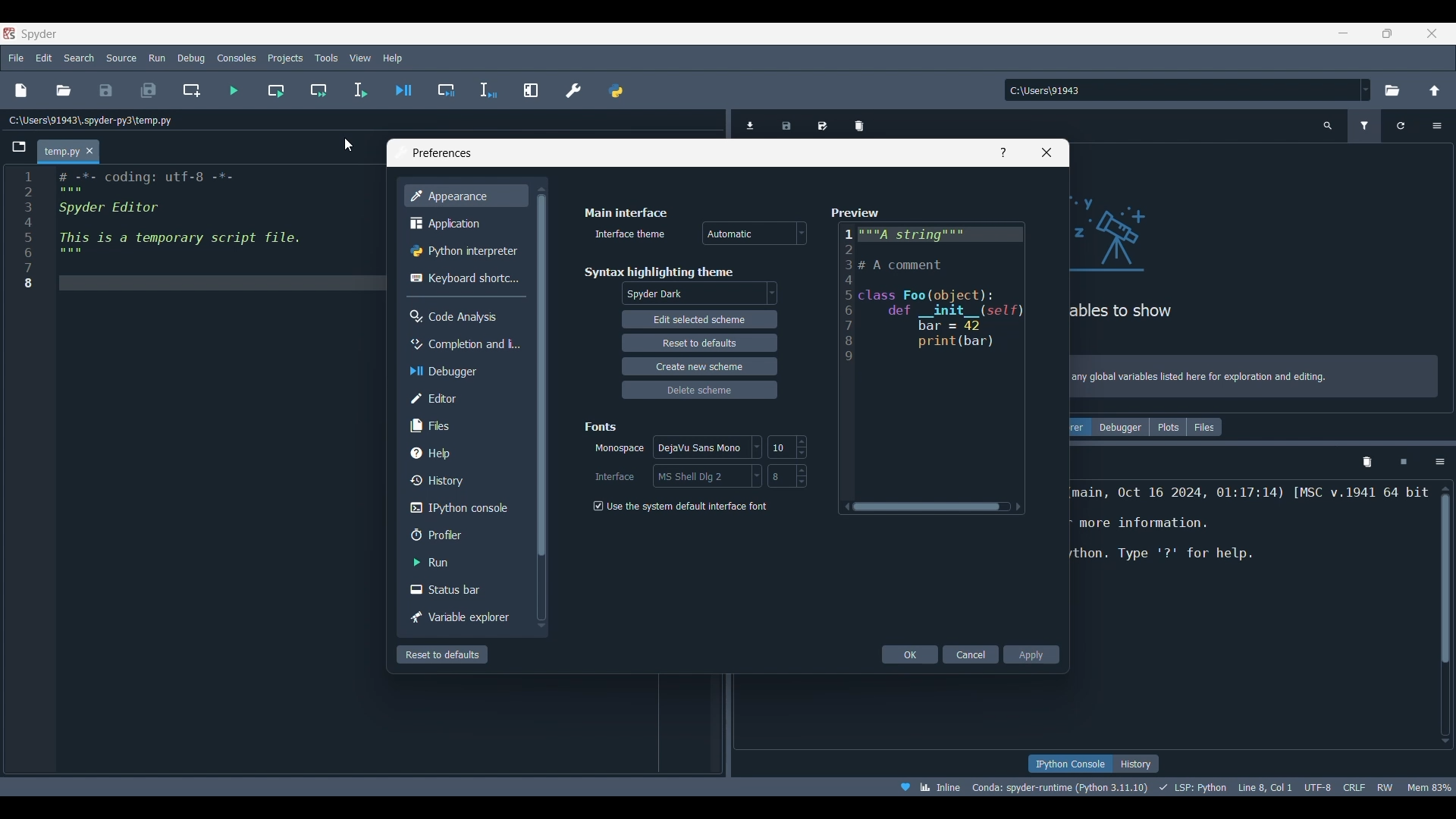 This screenshot has width=1456, height=819. I want to click on Reset to defaults, so click(441, 654).